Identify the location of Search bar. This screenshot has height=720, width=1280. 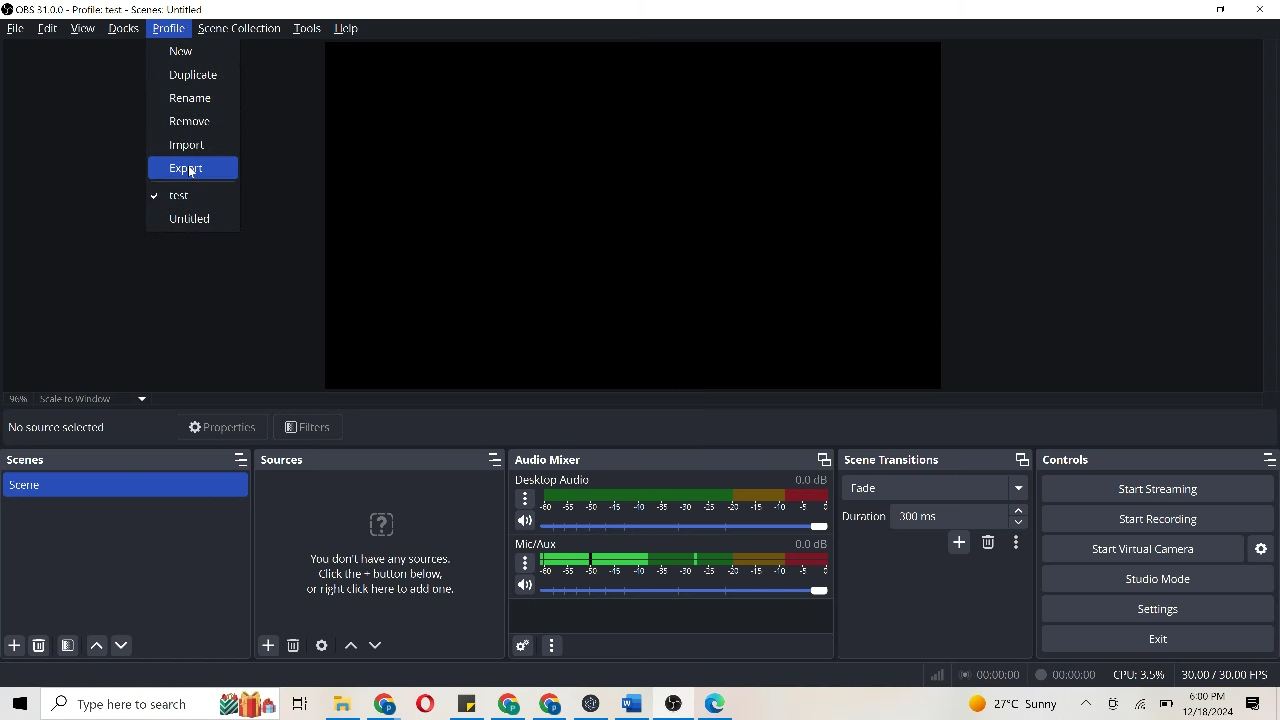
(126, 703).